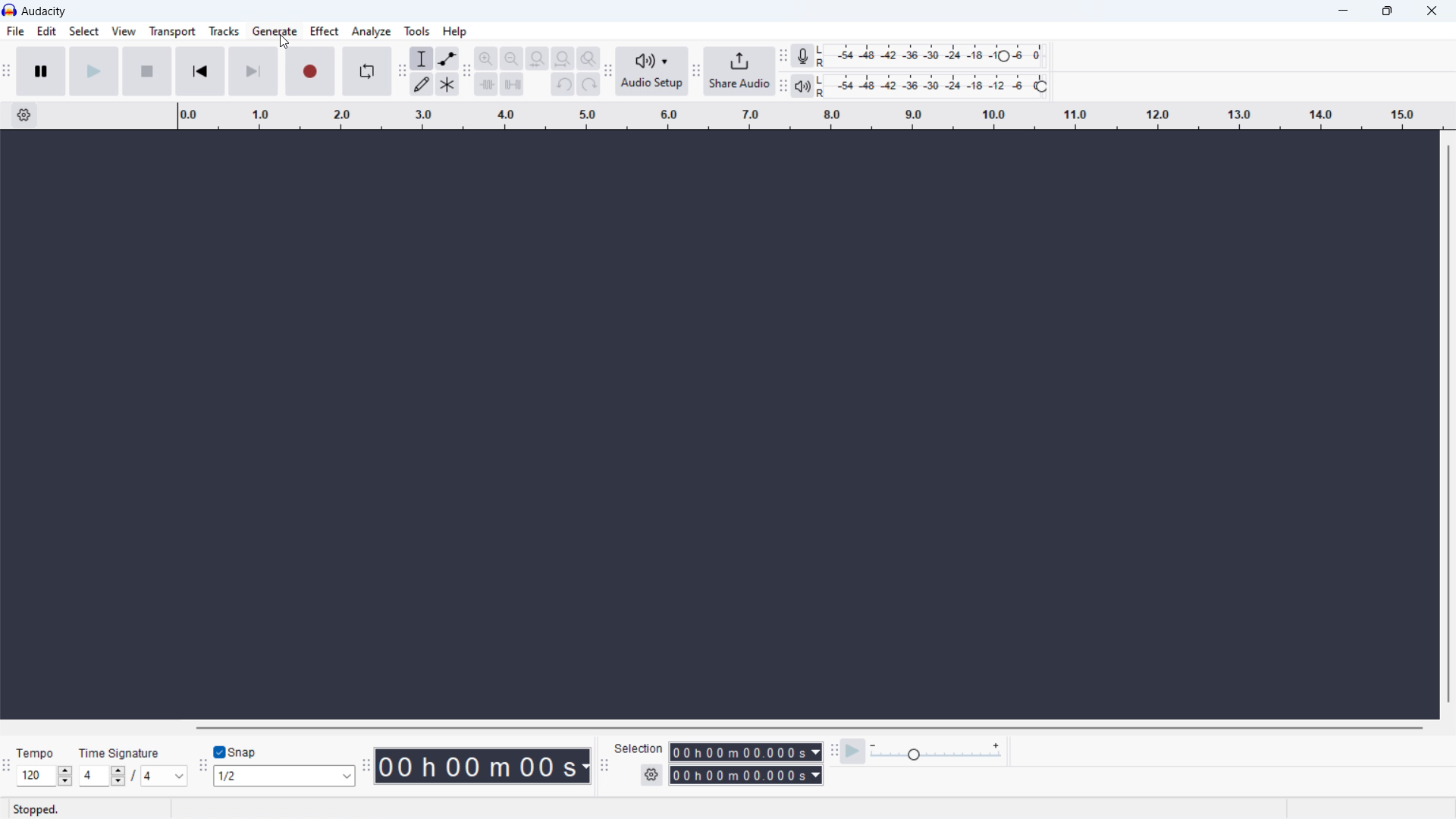 This screenshot has width=1456, height=819. Describe the element at coordinates (325, 31) in the screenshot. I see `effect` at that location.